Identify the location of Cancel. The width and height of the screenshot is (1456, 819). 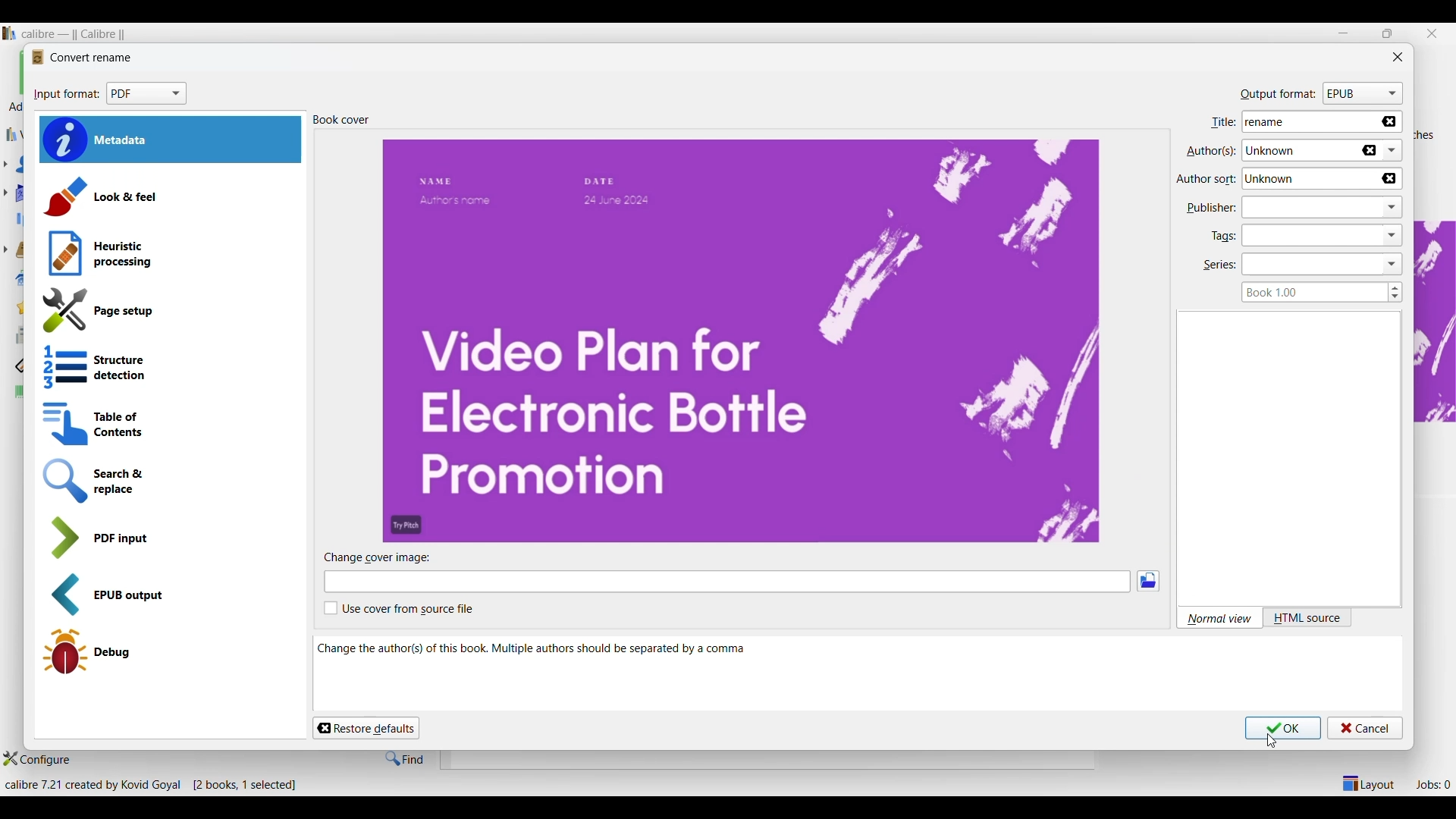
(1366, 728).